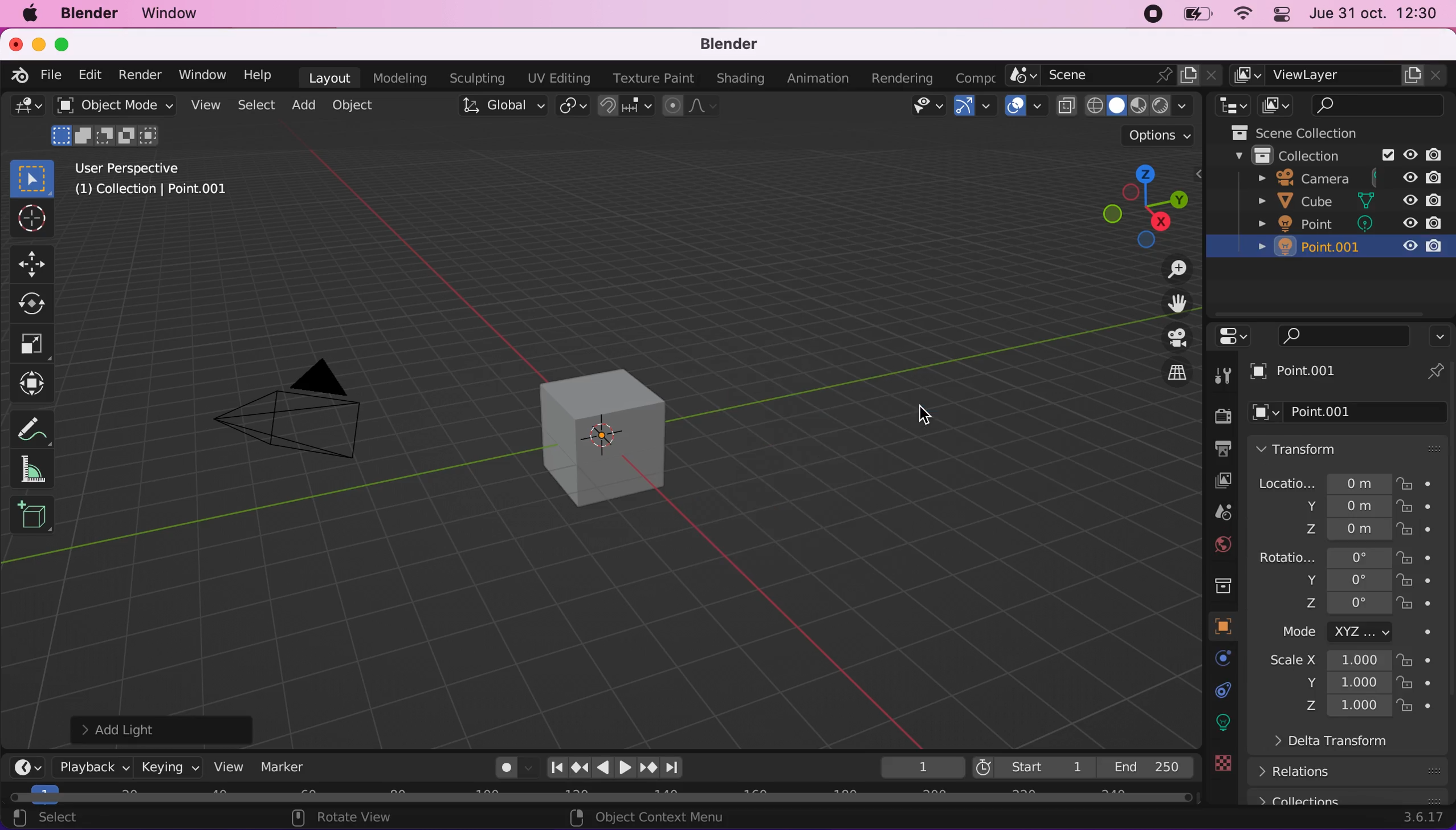  Describe the element at coordinates (32, 428) in the screenshot. I see `annotate` at that location.